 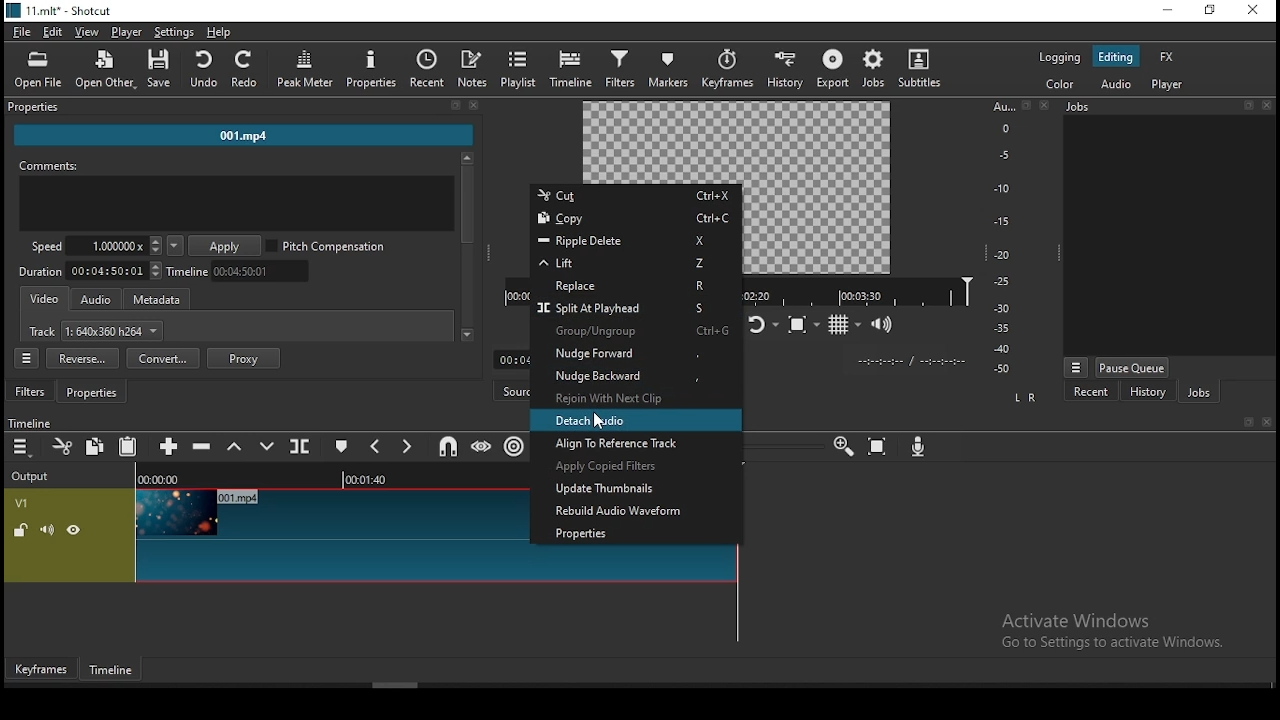 What do you see at coordinates (1196, 392) in the screenshot?
I see `jobs` at bounding box center [1196, 392].